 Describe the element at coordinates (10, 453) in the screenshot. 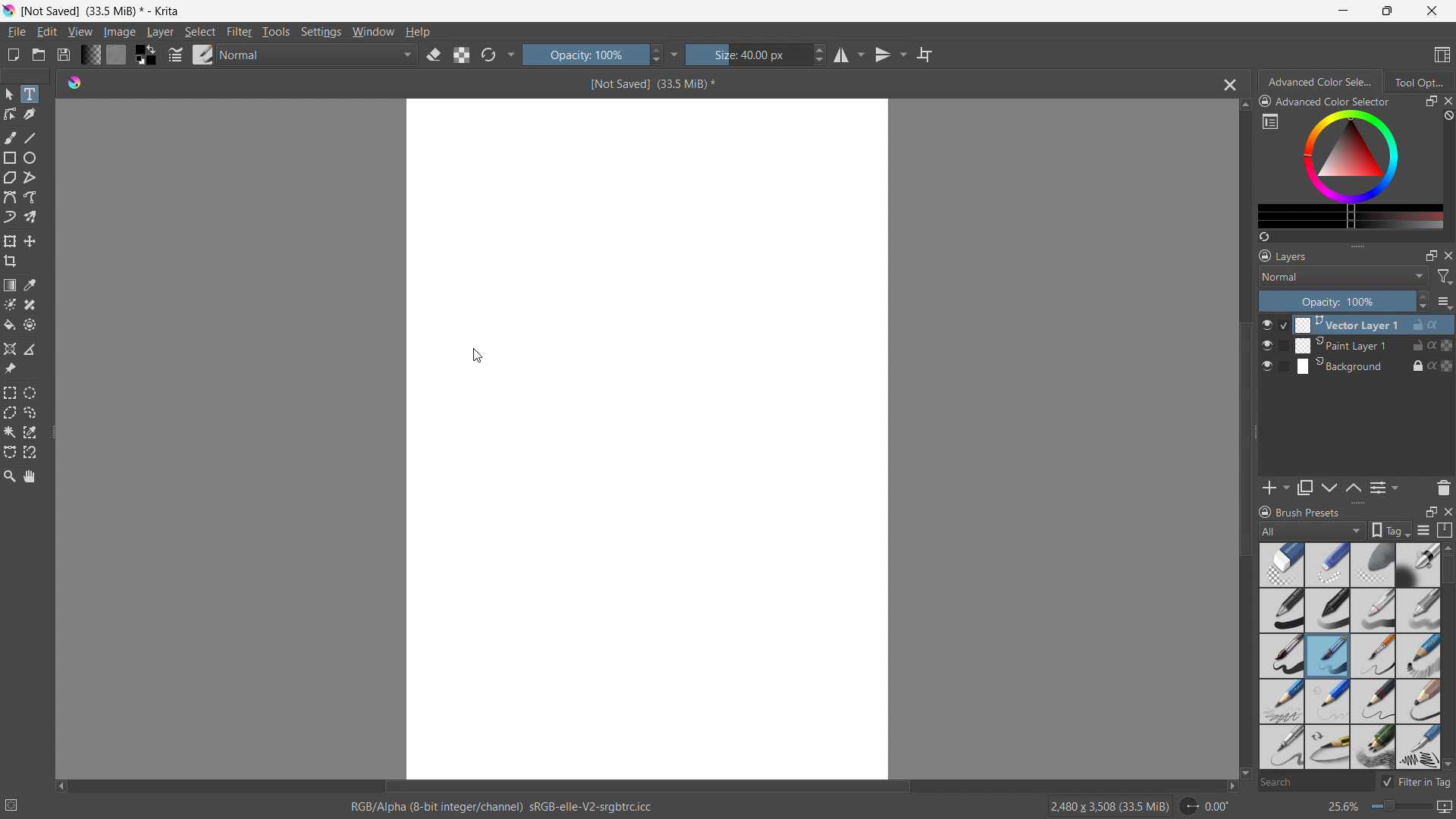

I see `bezier curve selection tool` at that location.